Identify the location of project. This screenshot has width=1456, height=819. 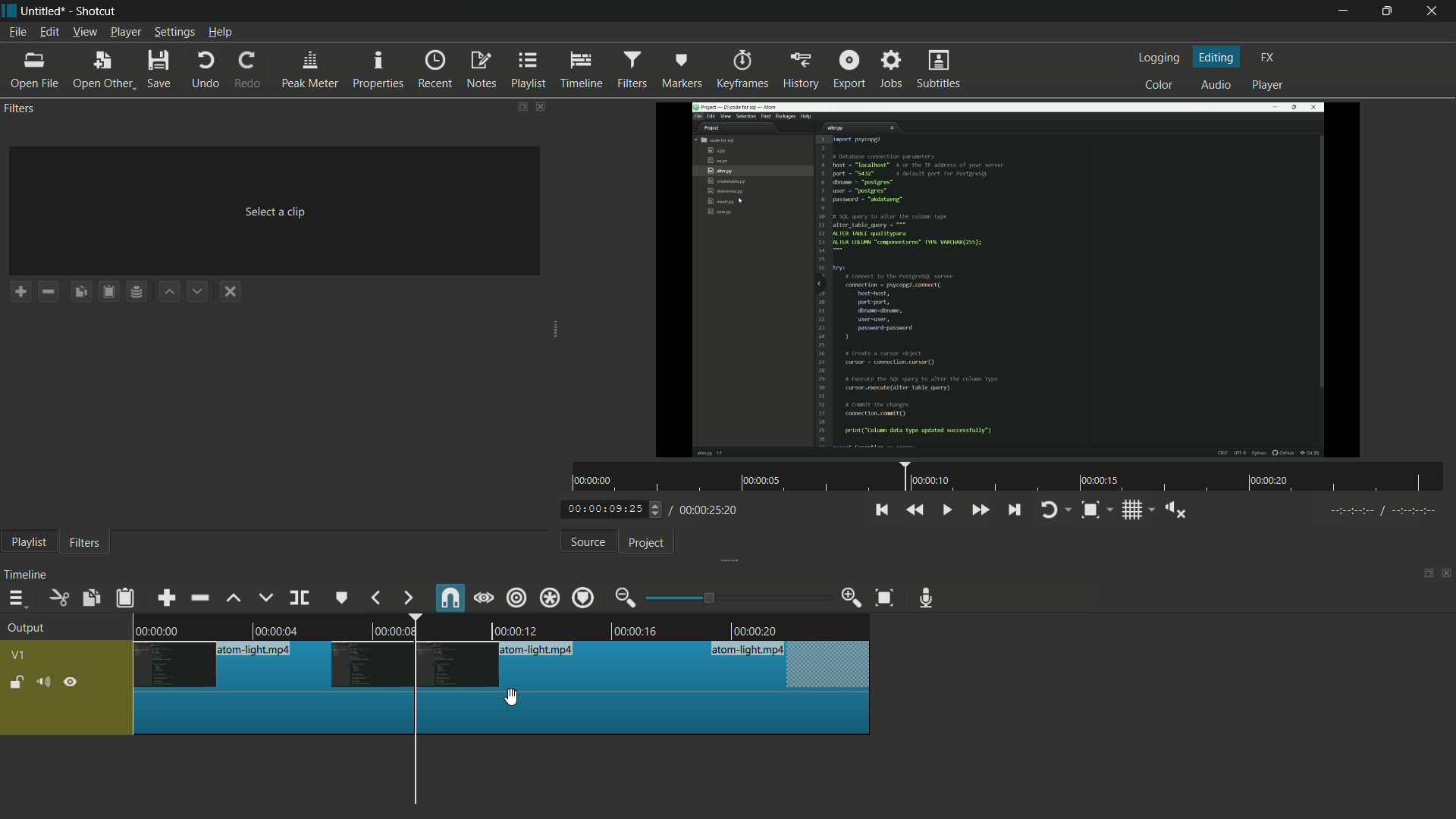
(648, 544).